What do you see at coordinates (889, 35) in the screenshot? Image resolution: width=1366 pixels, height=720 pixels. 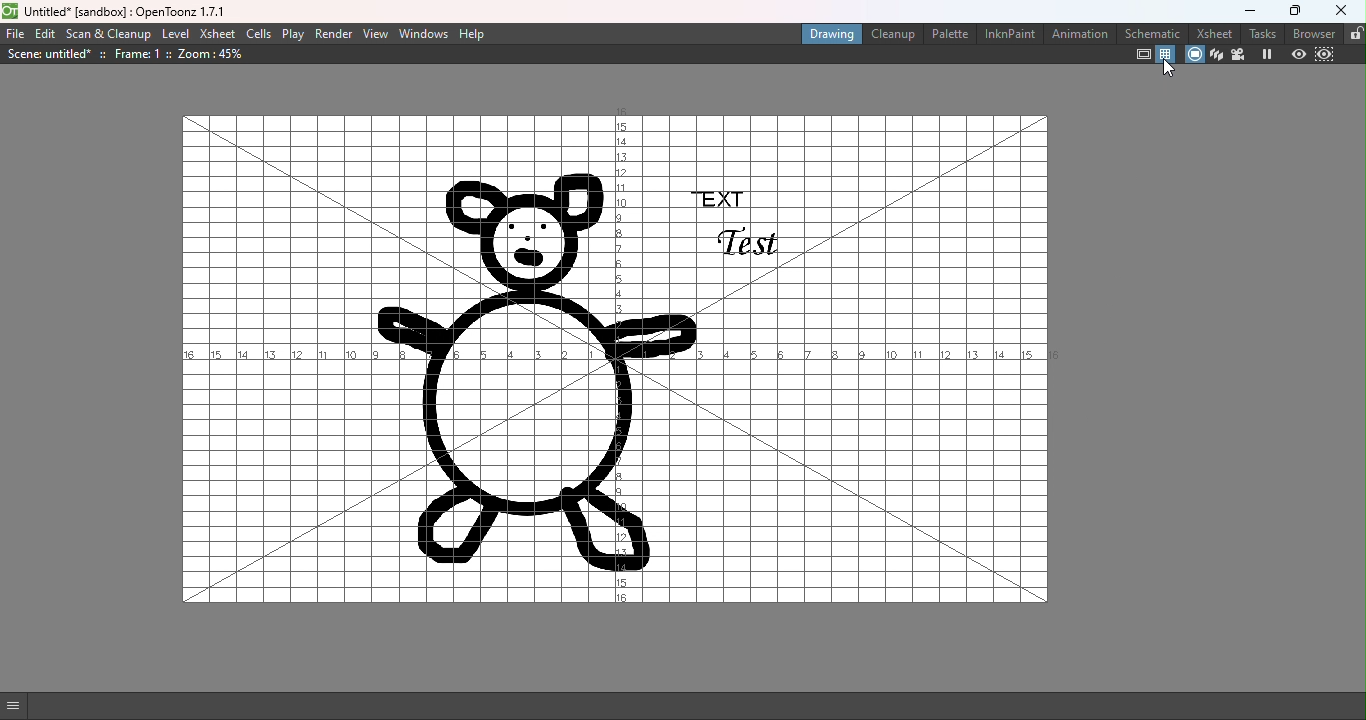 I see `Cleanup` at bounding box center [889, 35].